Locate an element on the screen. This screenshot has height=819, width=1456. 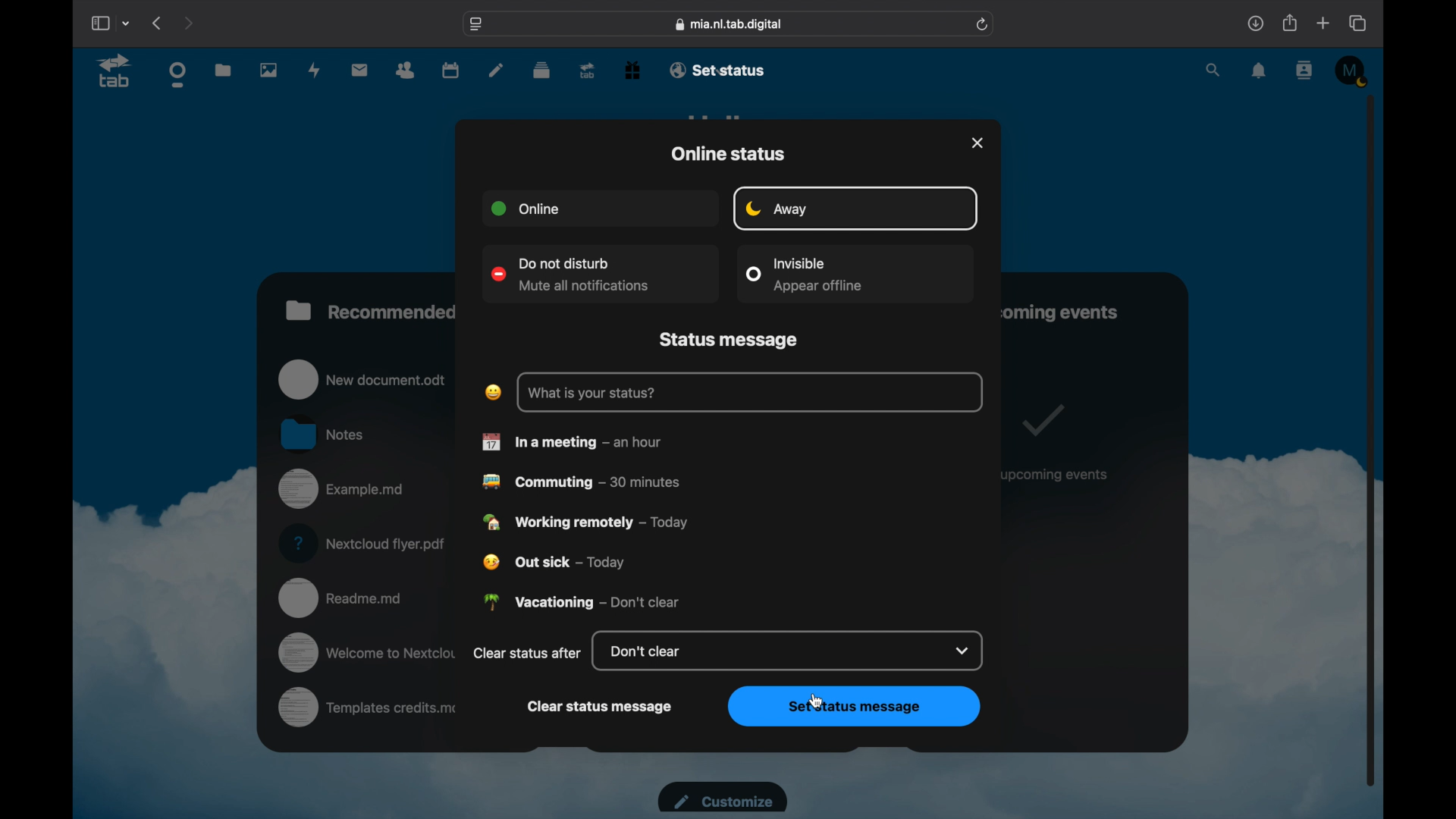
new tab is located at coordinates (1324, 24).